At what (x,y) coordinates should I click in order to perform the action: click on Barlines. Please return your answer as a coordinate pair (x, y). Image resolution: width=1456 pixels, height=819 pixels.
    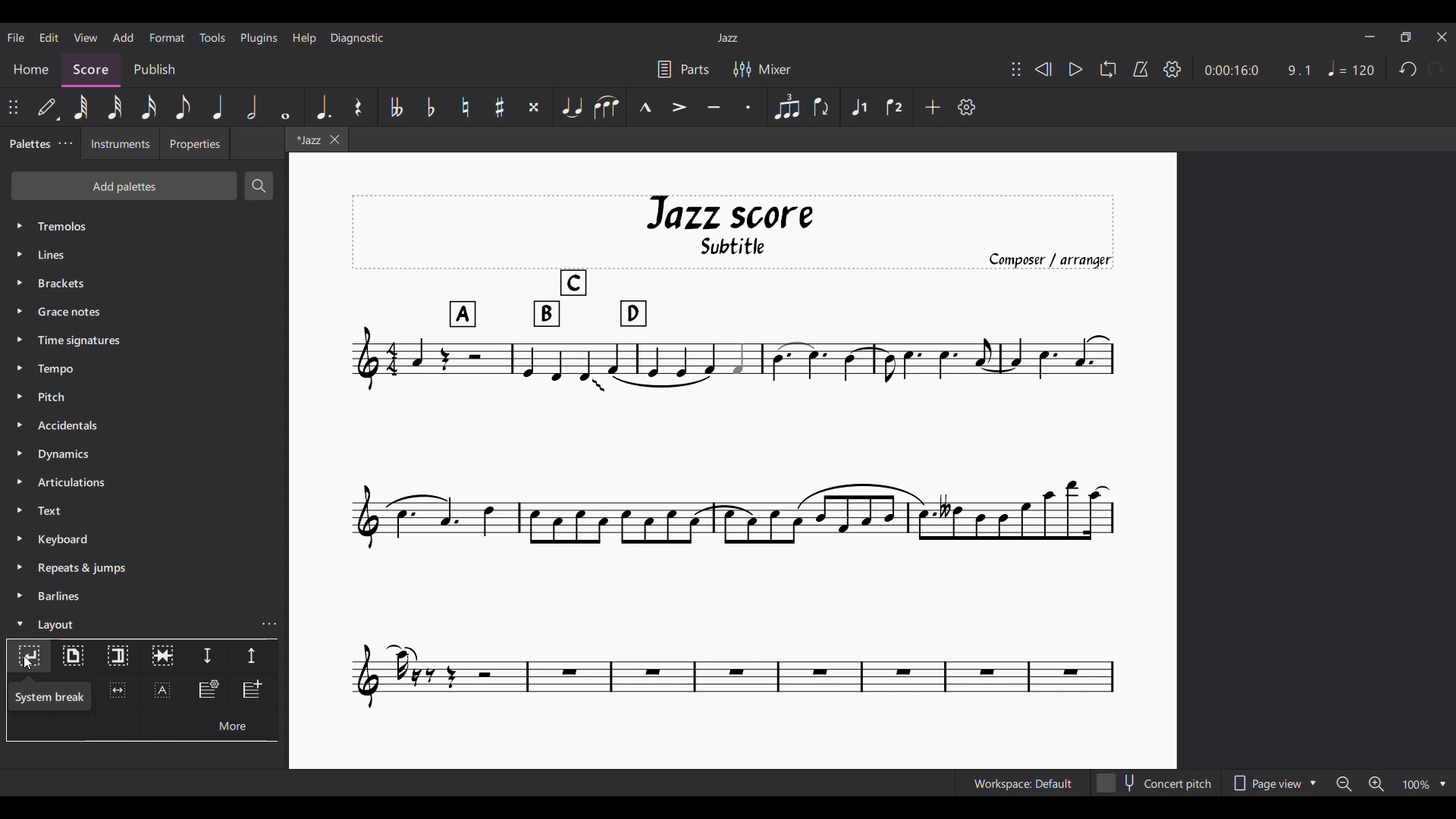
    Looking at the image, I should click on (144, 596).